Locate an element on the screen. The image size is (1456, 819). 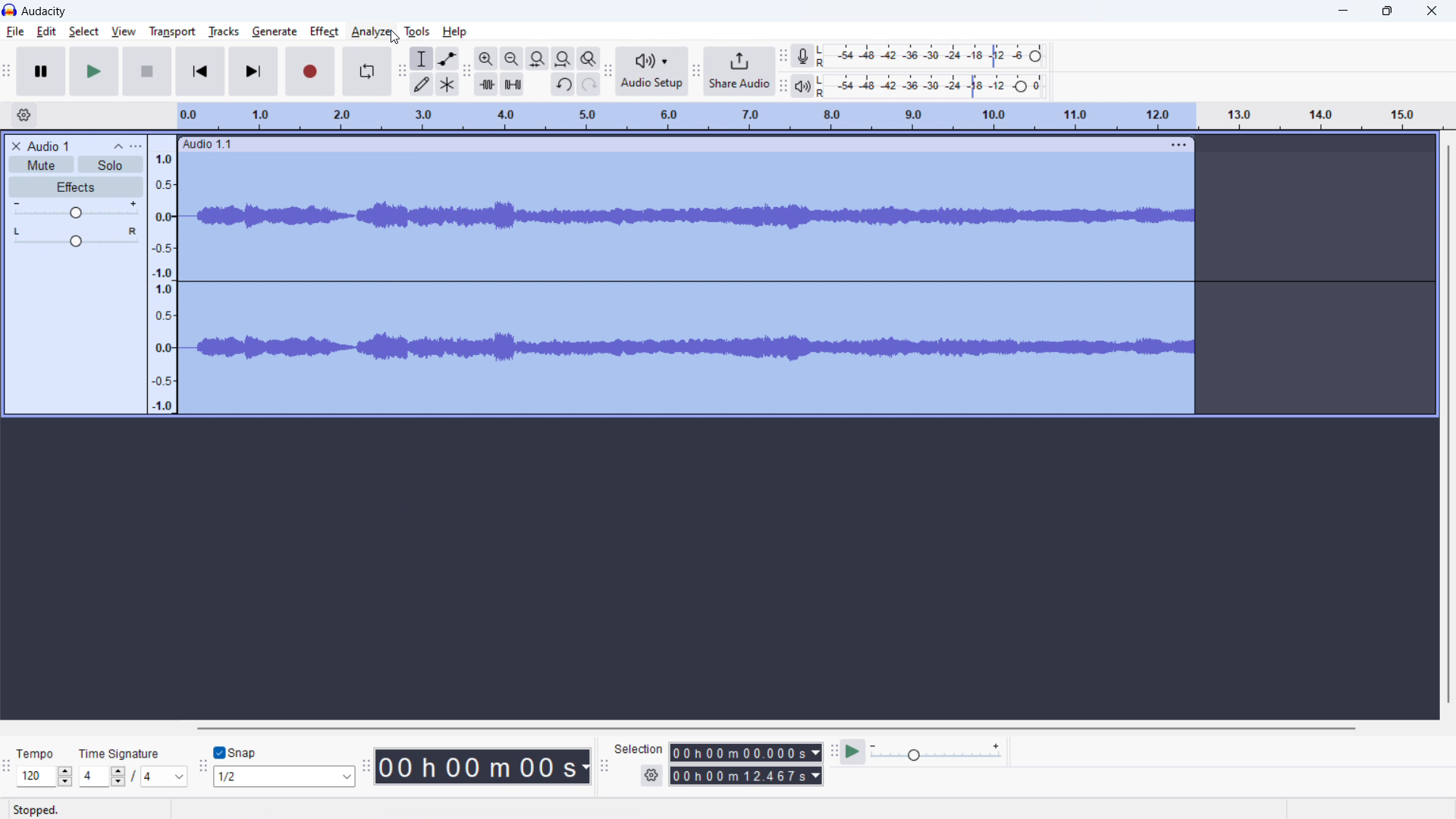
help is located at coordinates (456, 33).